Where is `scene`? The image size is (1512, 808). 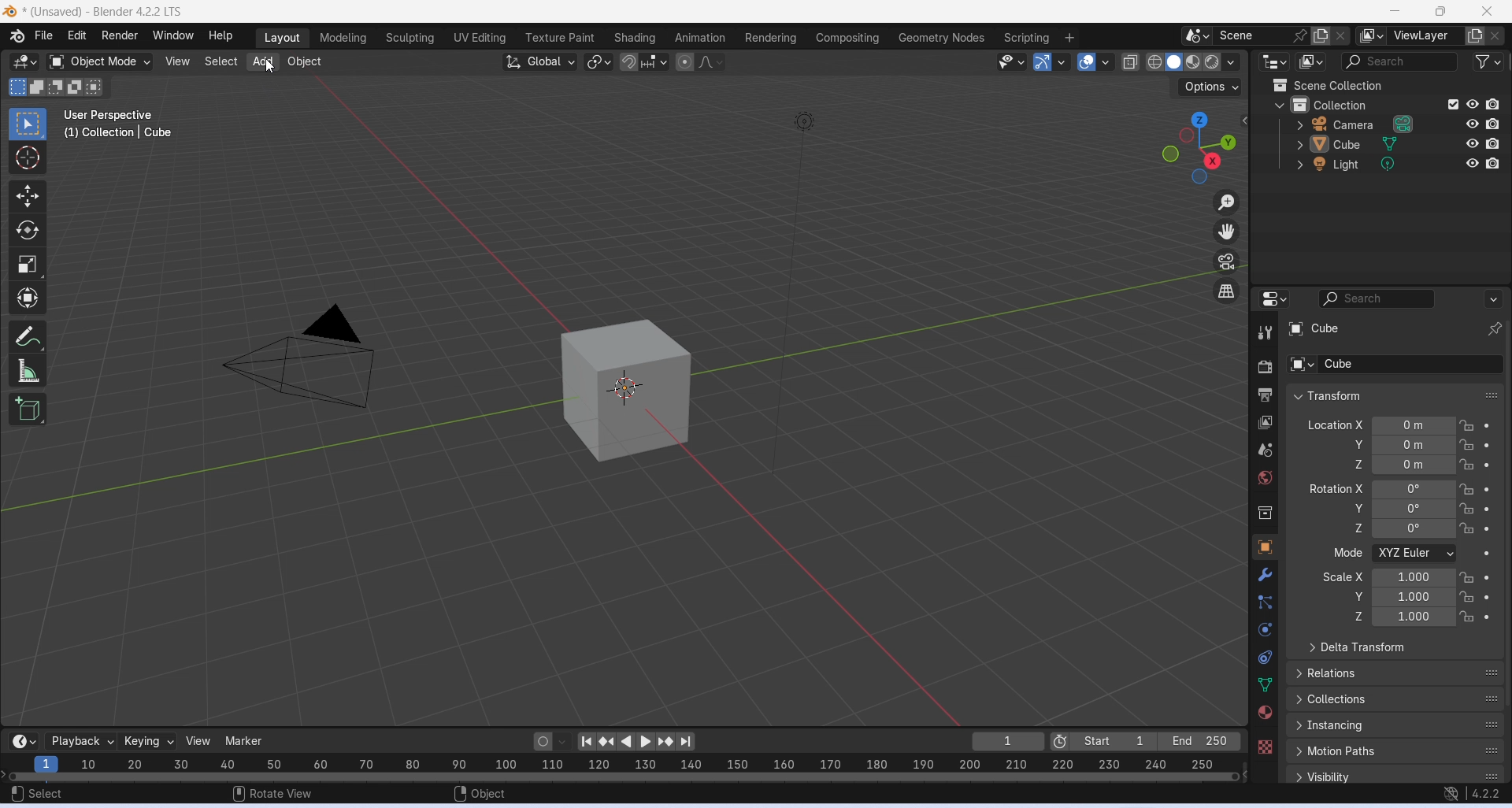 scene is located at coordinates (1265, 450).